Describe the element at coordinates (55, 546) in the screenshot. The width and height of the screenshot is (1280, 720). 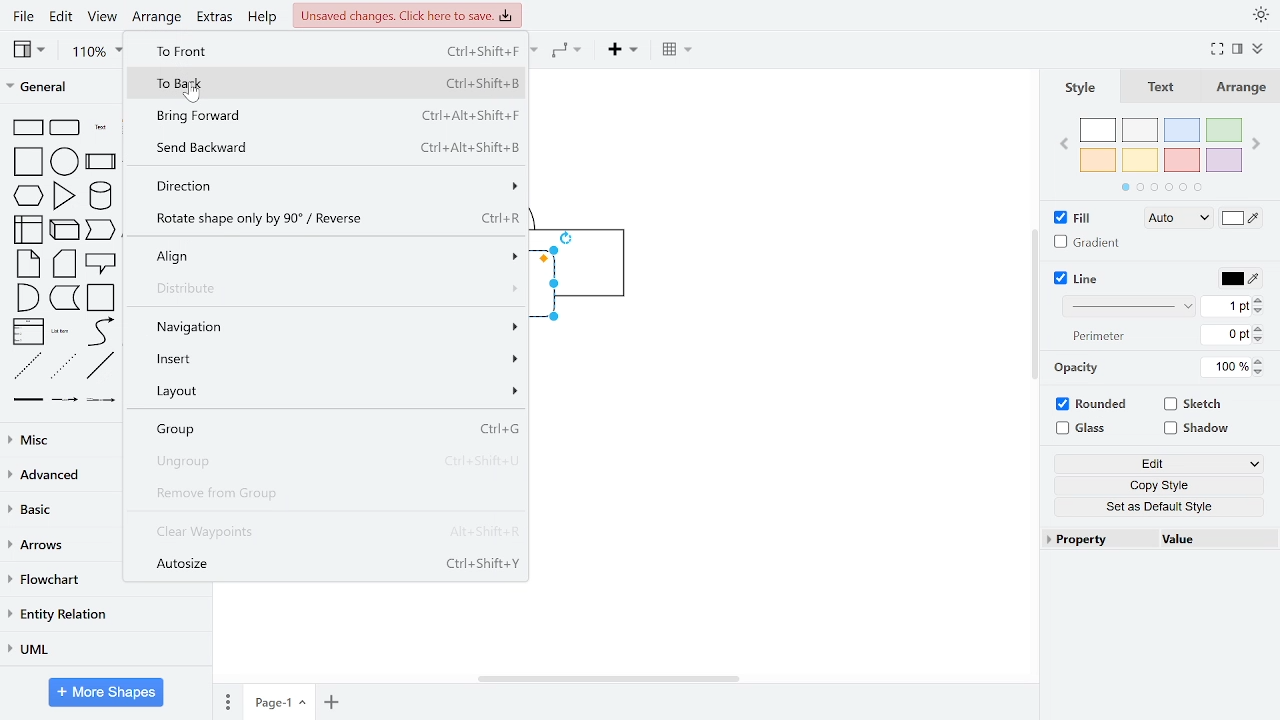
I see `arrows` at that location.